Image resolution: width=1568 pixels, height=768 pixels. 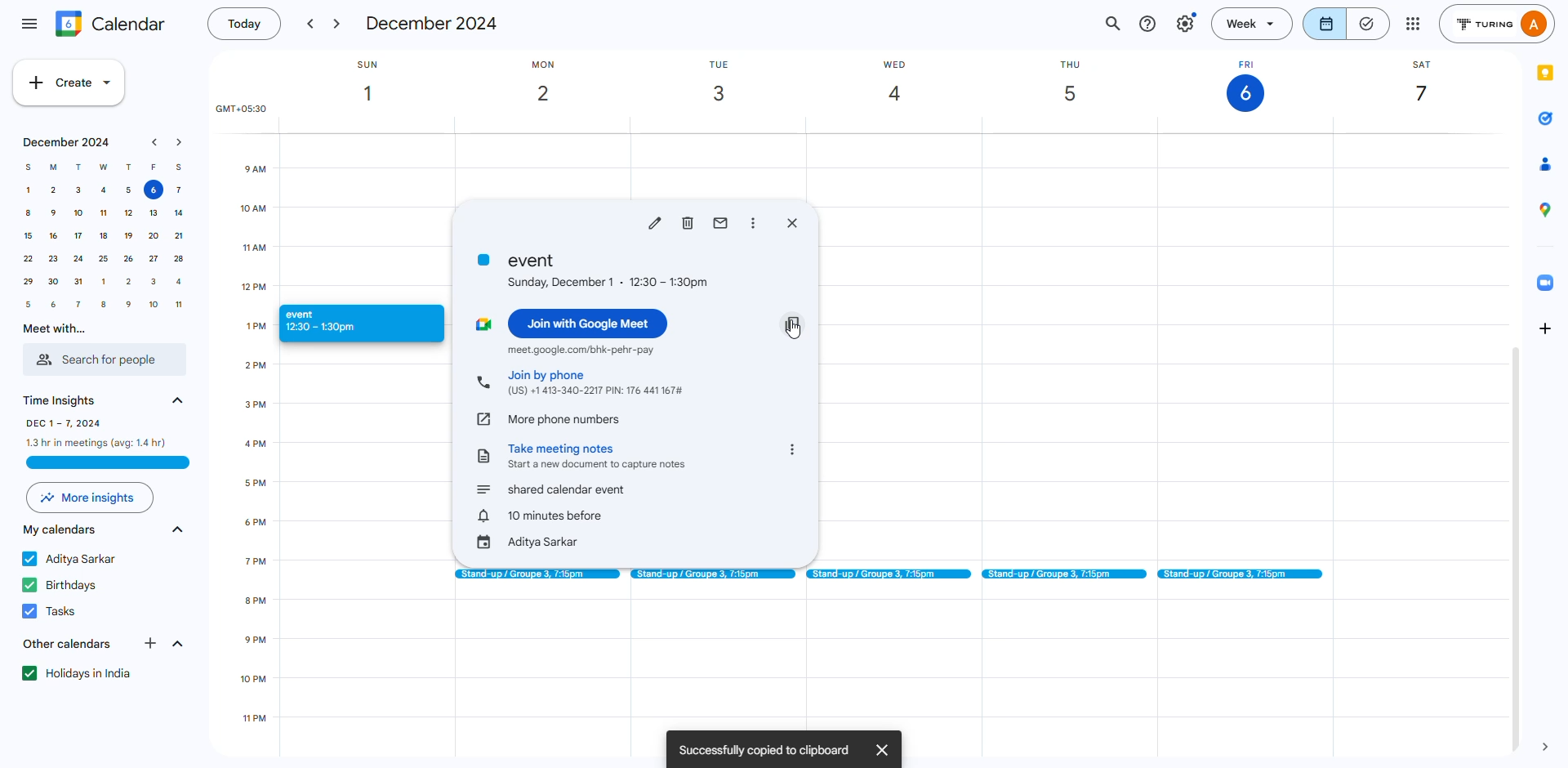 I want to click on 7, so click(x=180, y=191).